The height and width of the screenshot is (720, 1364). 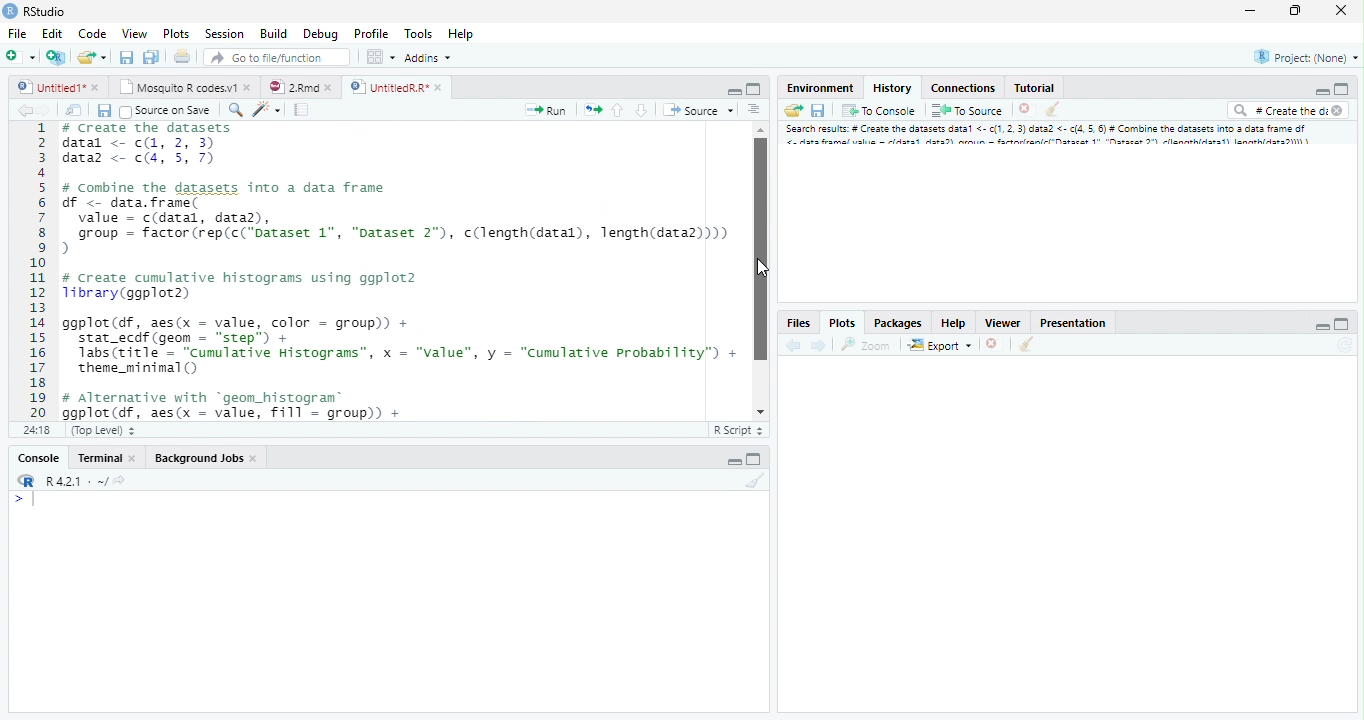 I want to click on Tools, so click(x=420, y=35).